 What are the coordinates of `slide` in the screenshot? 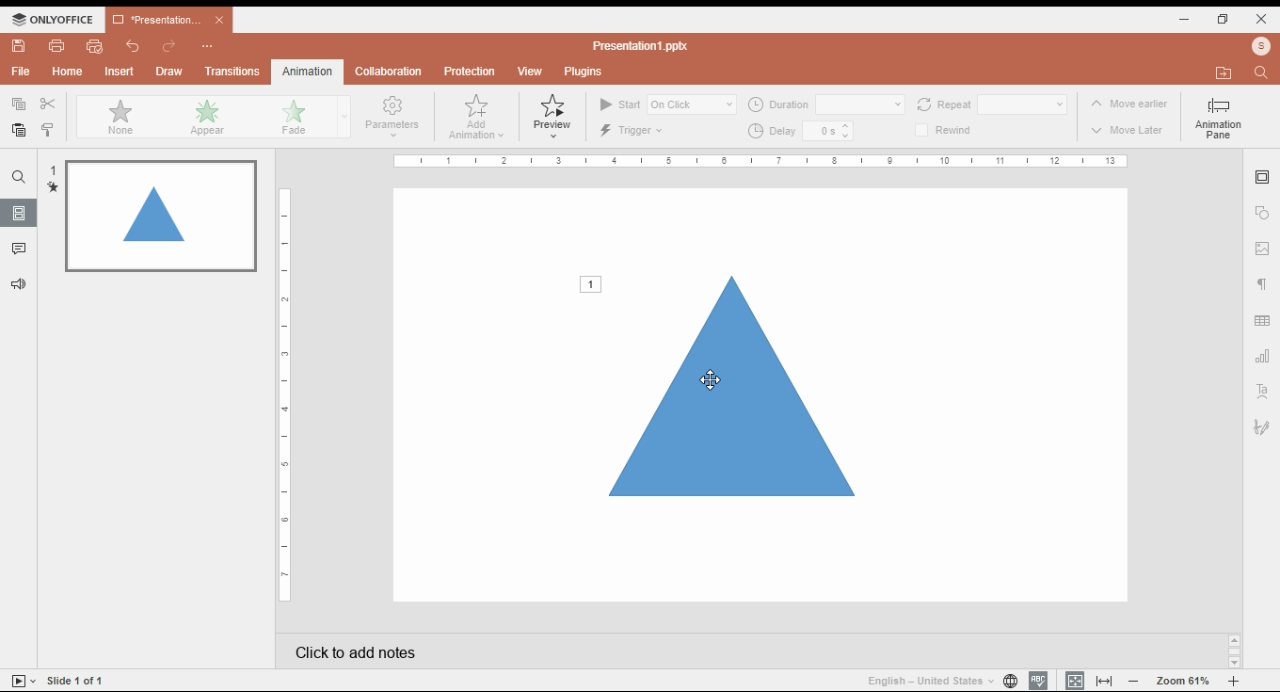 It's located at (78, 679).